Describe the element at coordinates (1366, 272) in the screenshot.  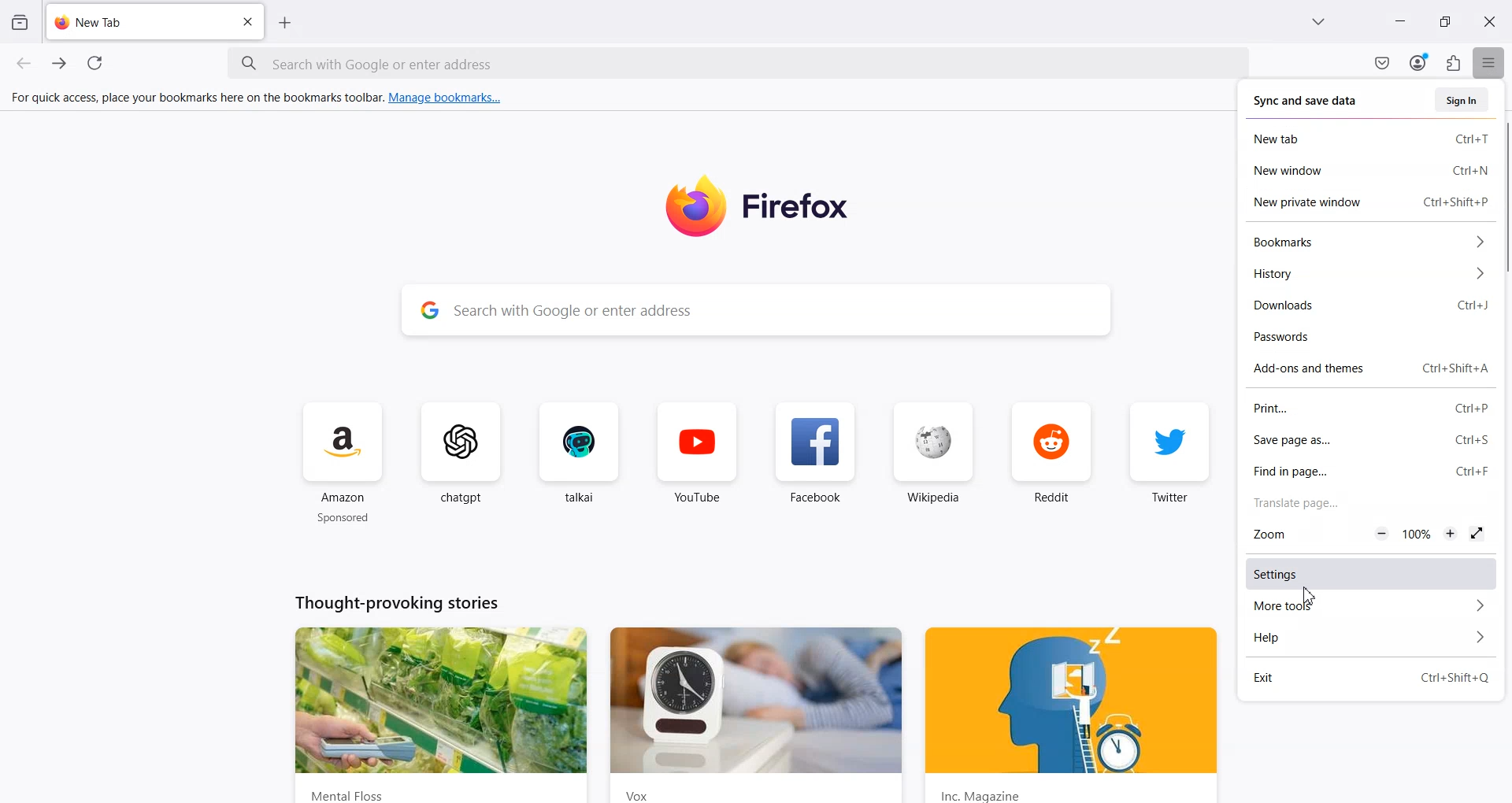
I see `History >` at that location.